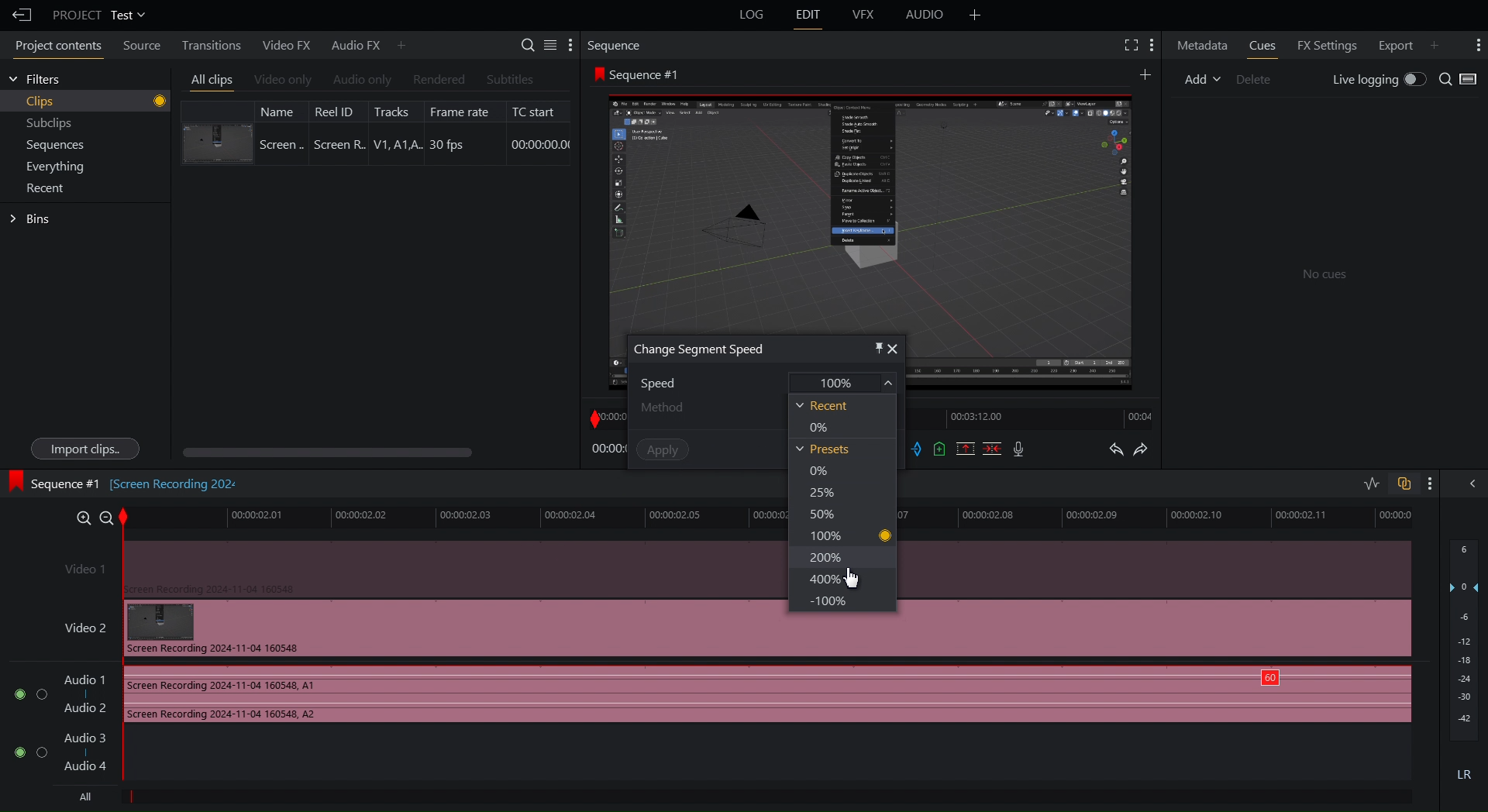 The height and width of the screenshot is (812, 1488). What do you see at coordinates (60, 166) in the screenshot?
I see `` at bounding box center [60, 166].